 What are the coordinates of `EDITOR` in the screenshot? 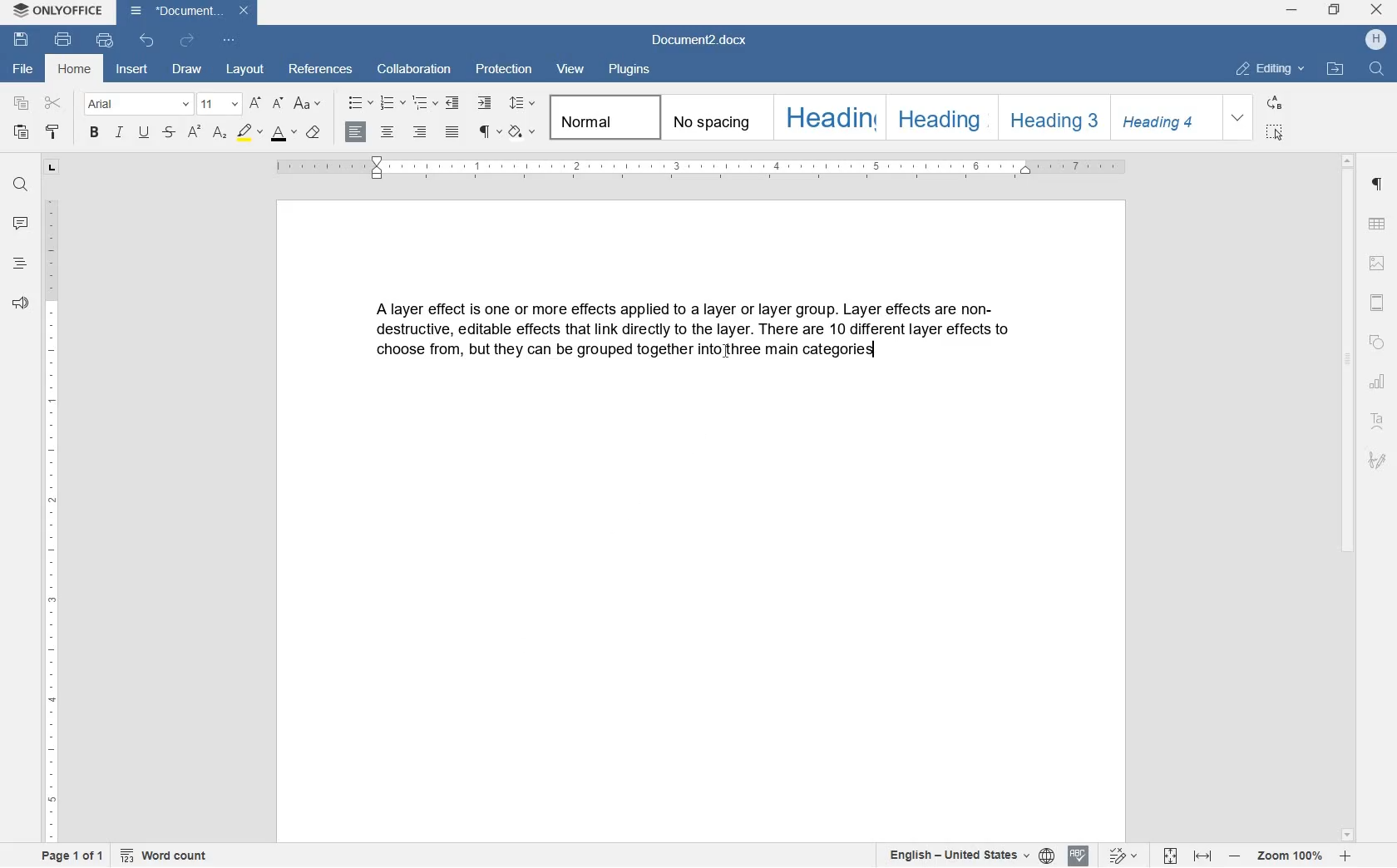 It's located at (874, 351).